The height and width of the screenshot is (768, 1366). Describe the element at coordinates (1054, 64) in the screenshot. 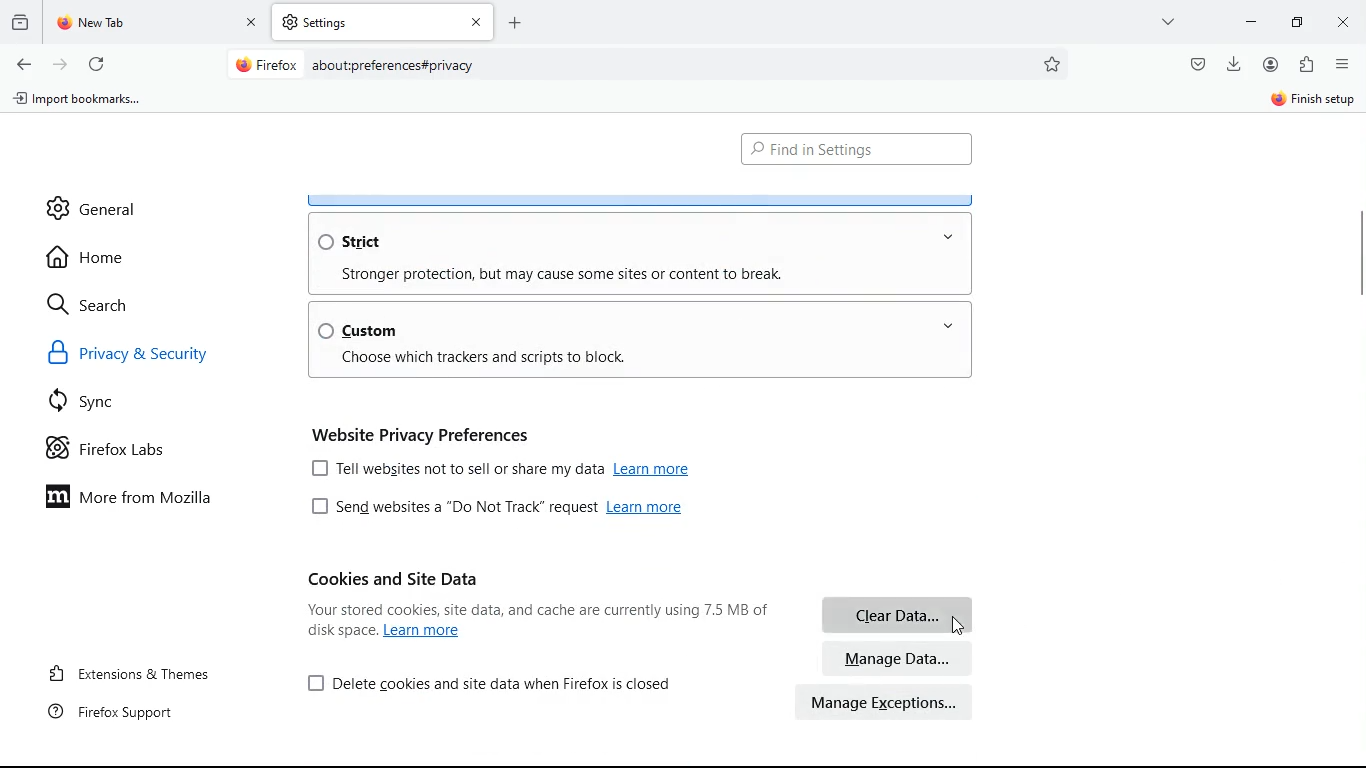

I see `preferences` at that location.